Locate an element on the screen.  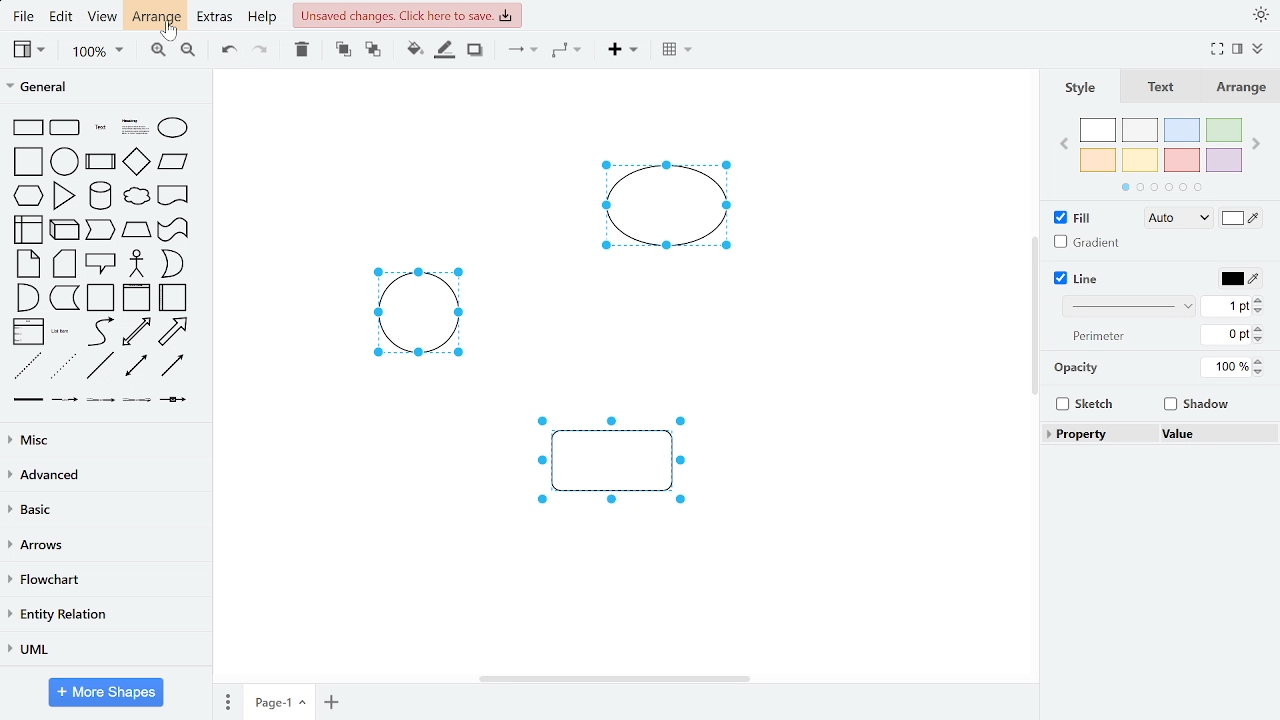
dotted line is located at coordinates (64, 367).